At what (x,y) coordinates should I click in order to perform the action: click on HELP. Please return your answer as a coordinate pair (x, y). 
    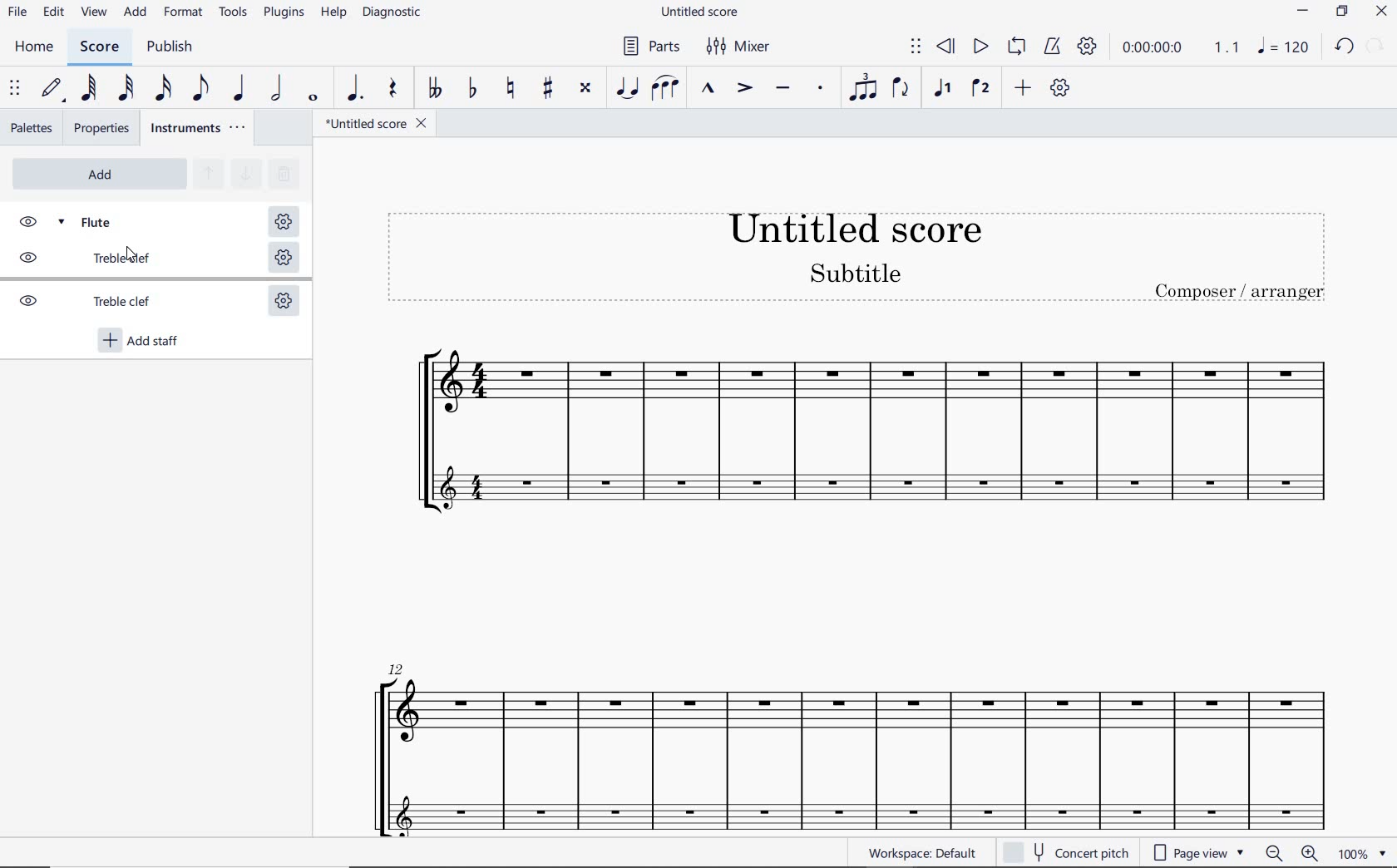
    Looking at the image, I should click on (334, 15).